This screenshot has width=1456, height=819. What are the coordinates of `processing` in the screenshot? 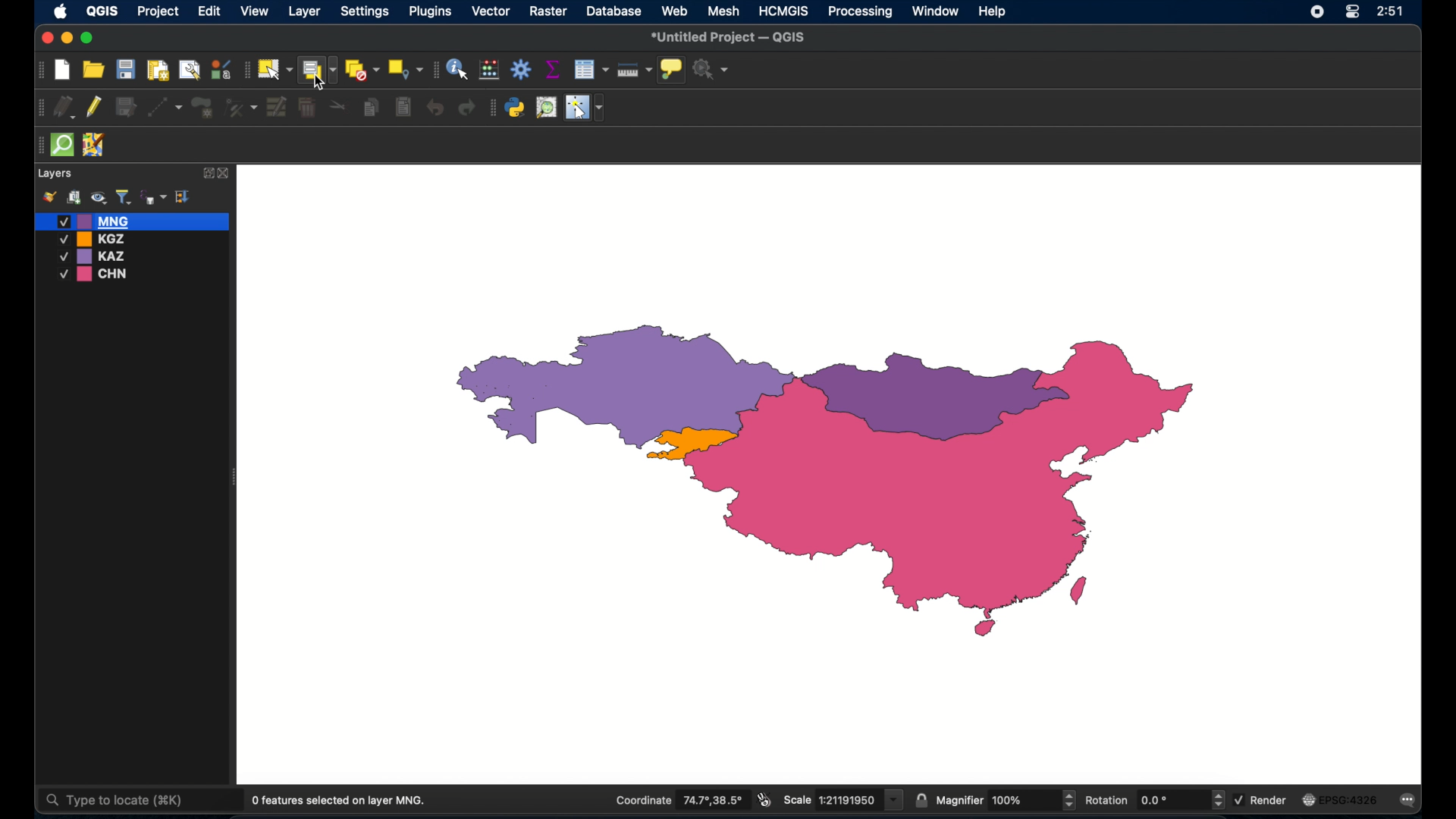 It's located at (861, 12).